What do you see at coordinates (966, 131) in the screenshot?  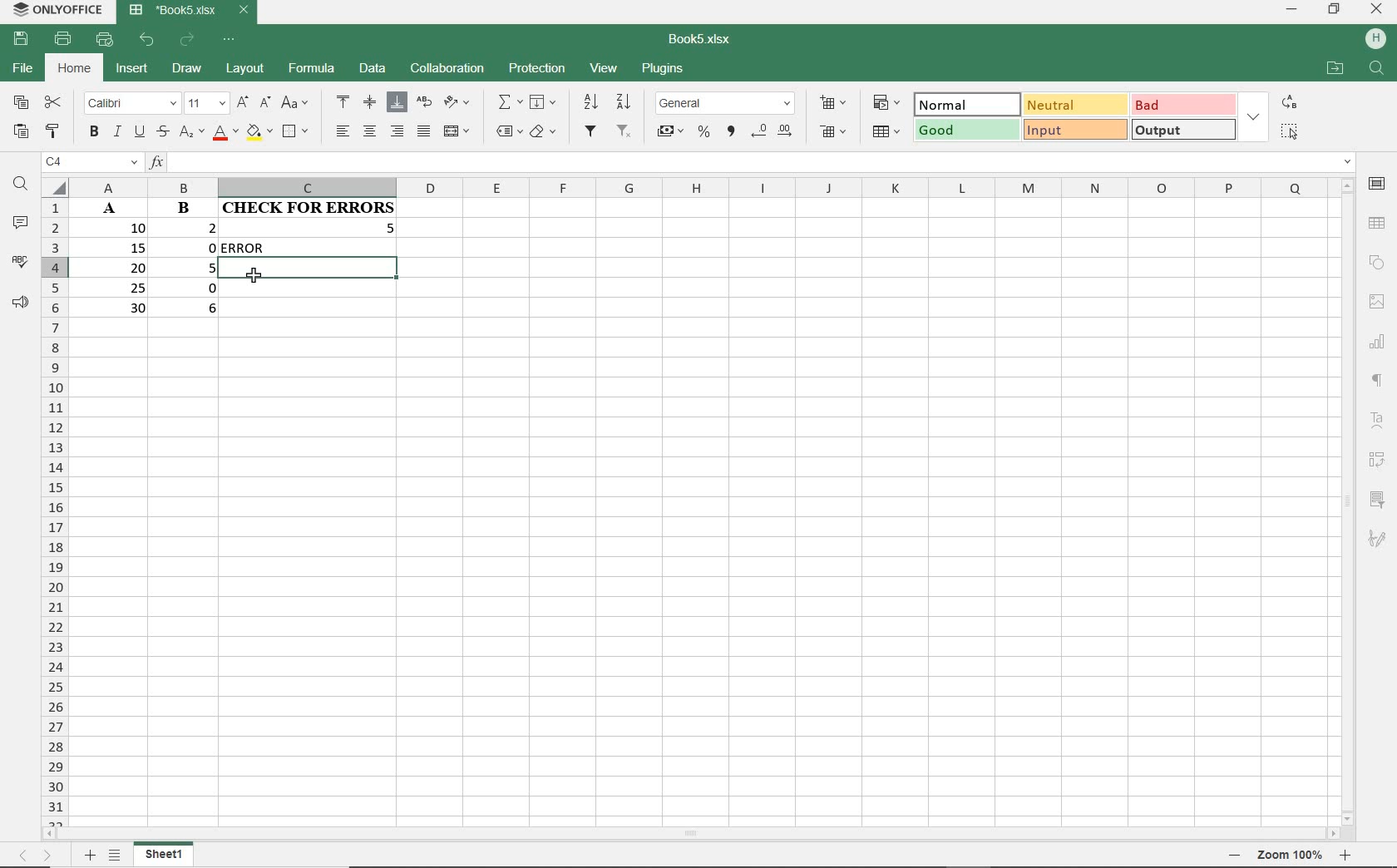 I see `GOOD` at bounding box center [966, 131].